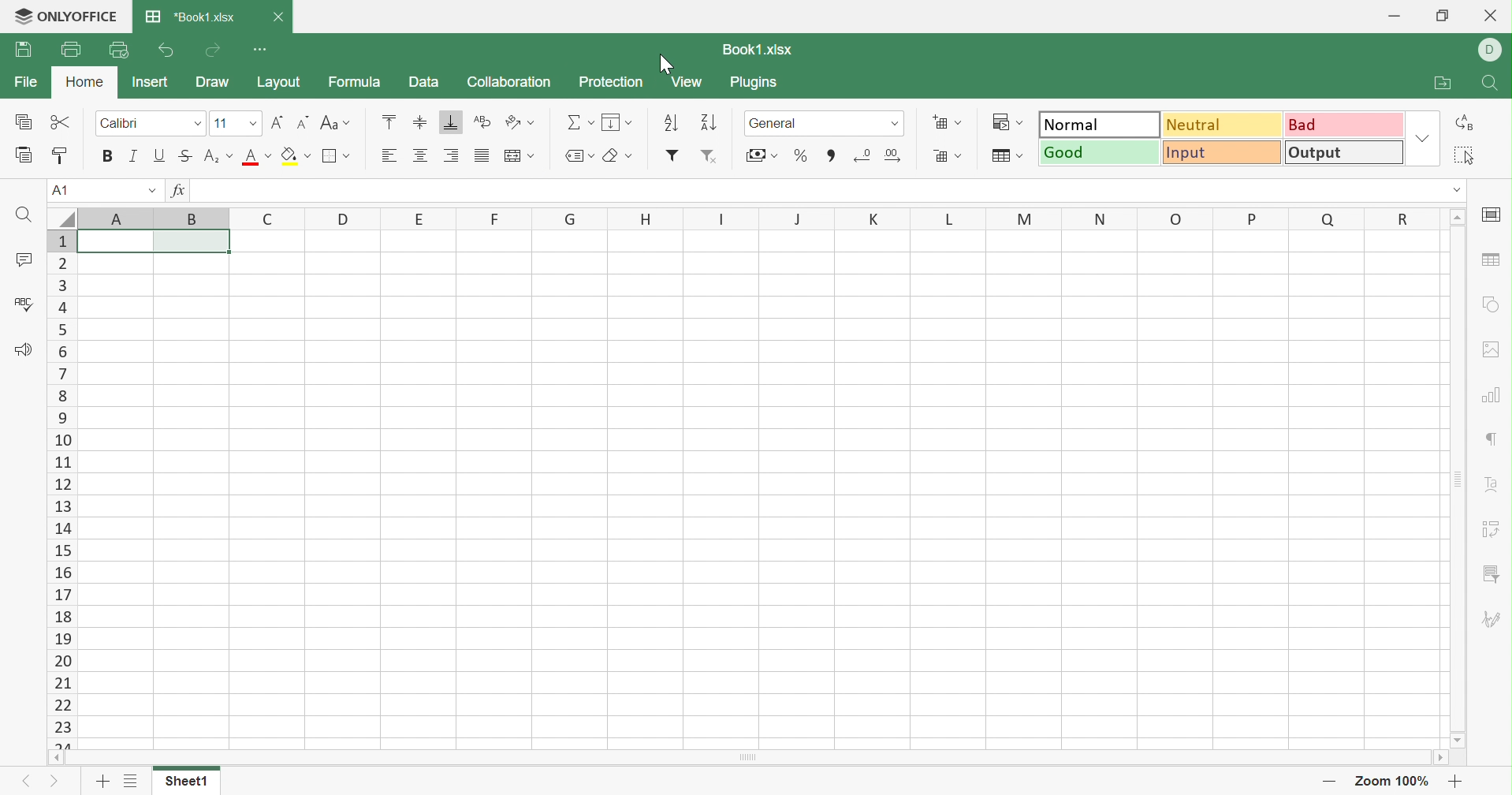 The width and height of the screenshot is (1512, 795). Describe the element at coordinates (105, 784) in the screenshot. I see `Add sheet` at that location.